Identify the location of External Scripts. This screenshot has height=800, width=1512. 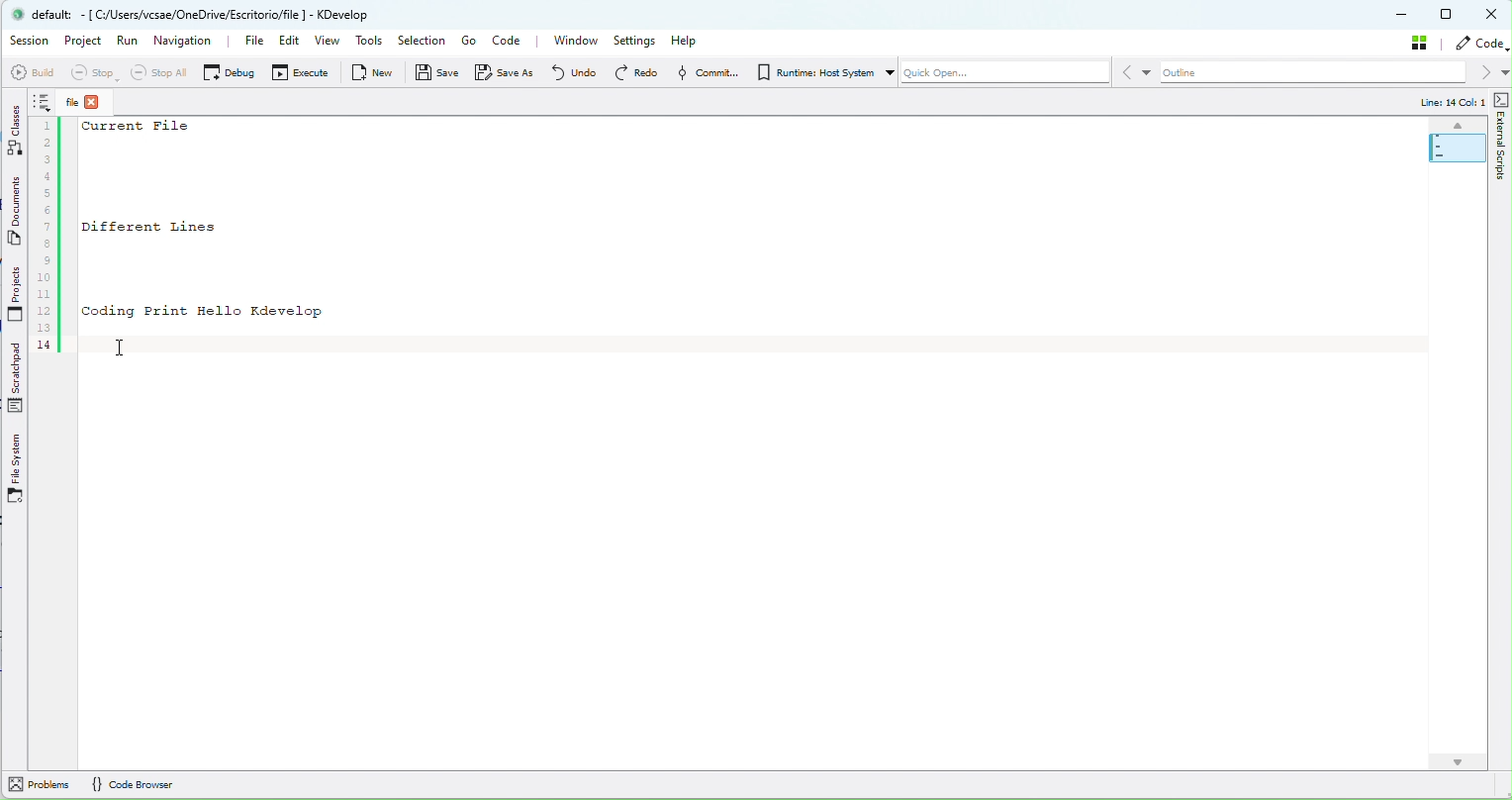
(1502, 161).